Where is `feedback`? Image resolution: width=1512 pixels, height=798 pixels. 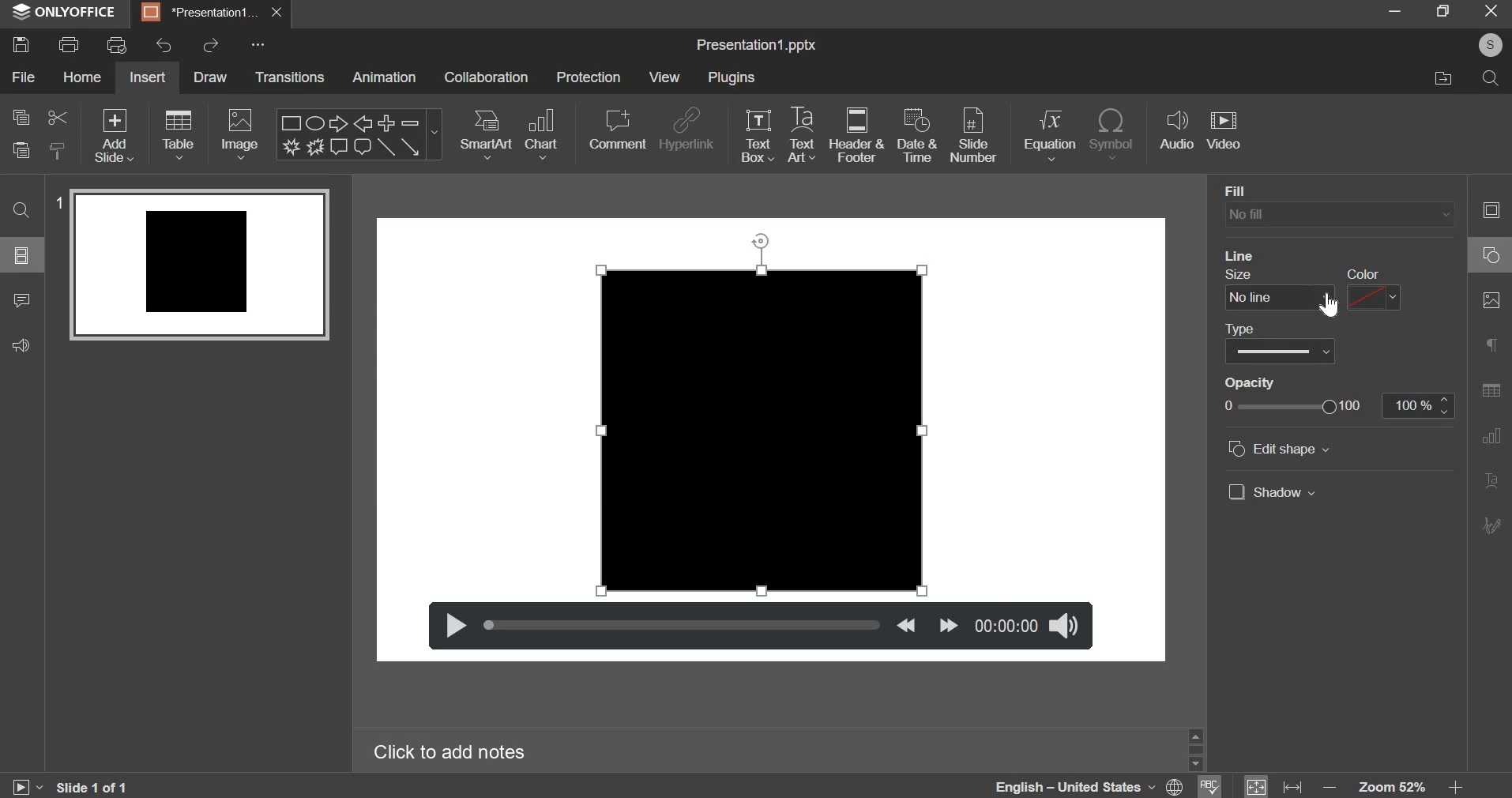 feedback is located at coordinates (20, 344).